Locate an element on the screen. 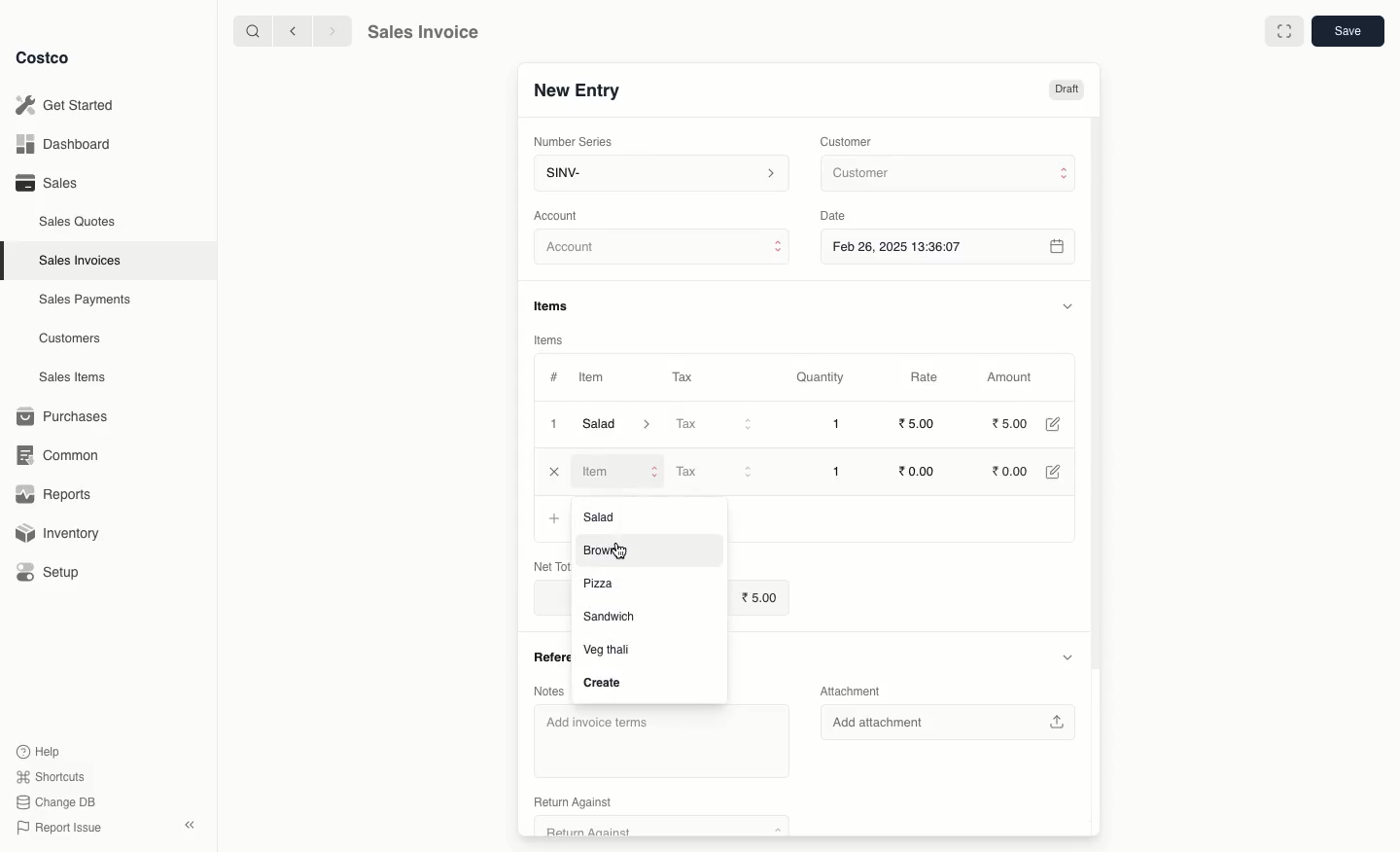 The height and width of the screenshot is (852, 1400). 0.00 is located at coordinates (916, 471).